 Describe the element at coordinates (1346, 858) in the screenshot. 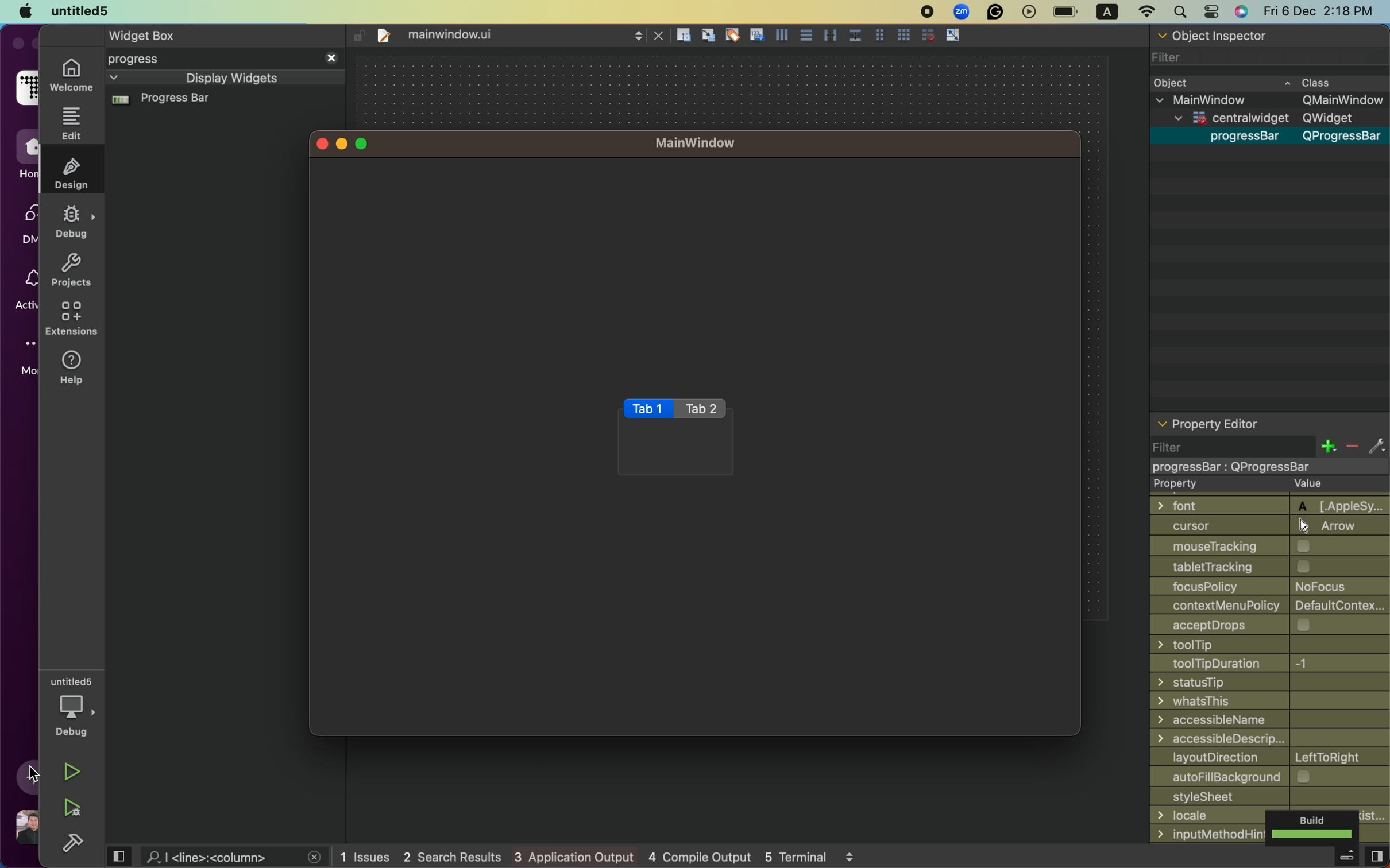

I see `extrude` at that location.